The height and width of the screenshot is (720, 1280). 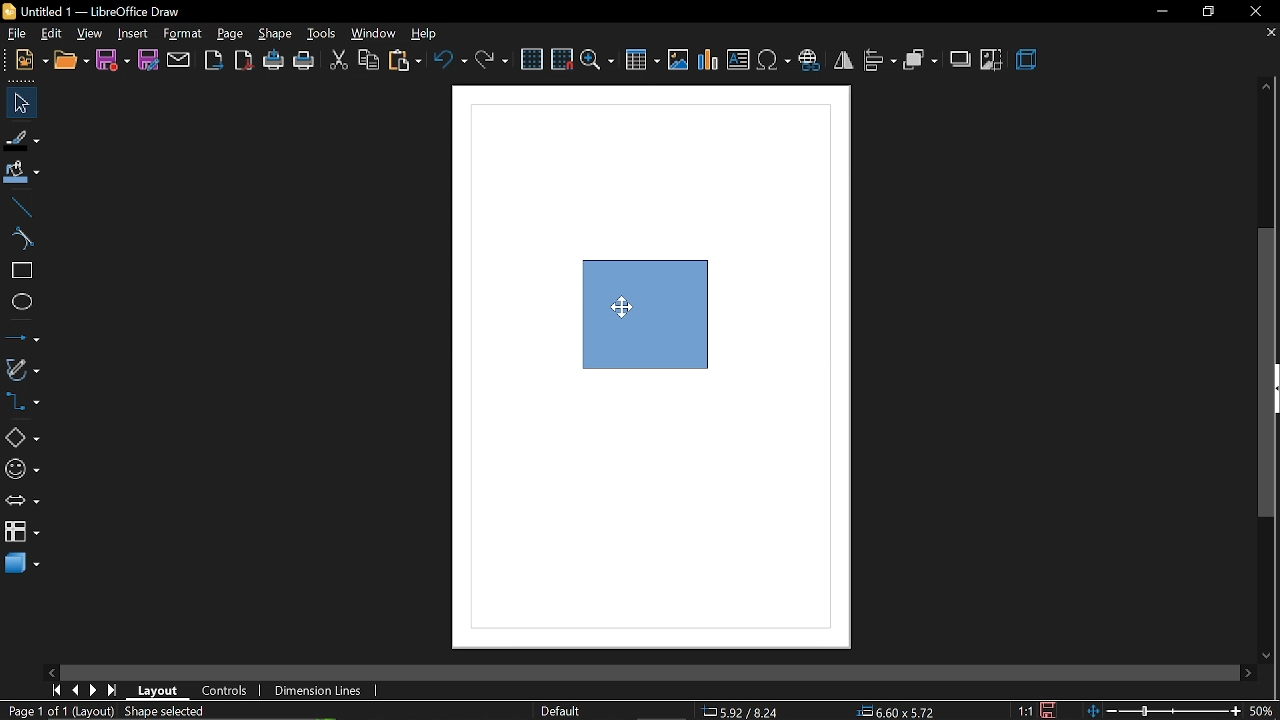 I want to click on cut , so click(x=336, y=61).